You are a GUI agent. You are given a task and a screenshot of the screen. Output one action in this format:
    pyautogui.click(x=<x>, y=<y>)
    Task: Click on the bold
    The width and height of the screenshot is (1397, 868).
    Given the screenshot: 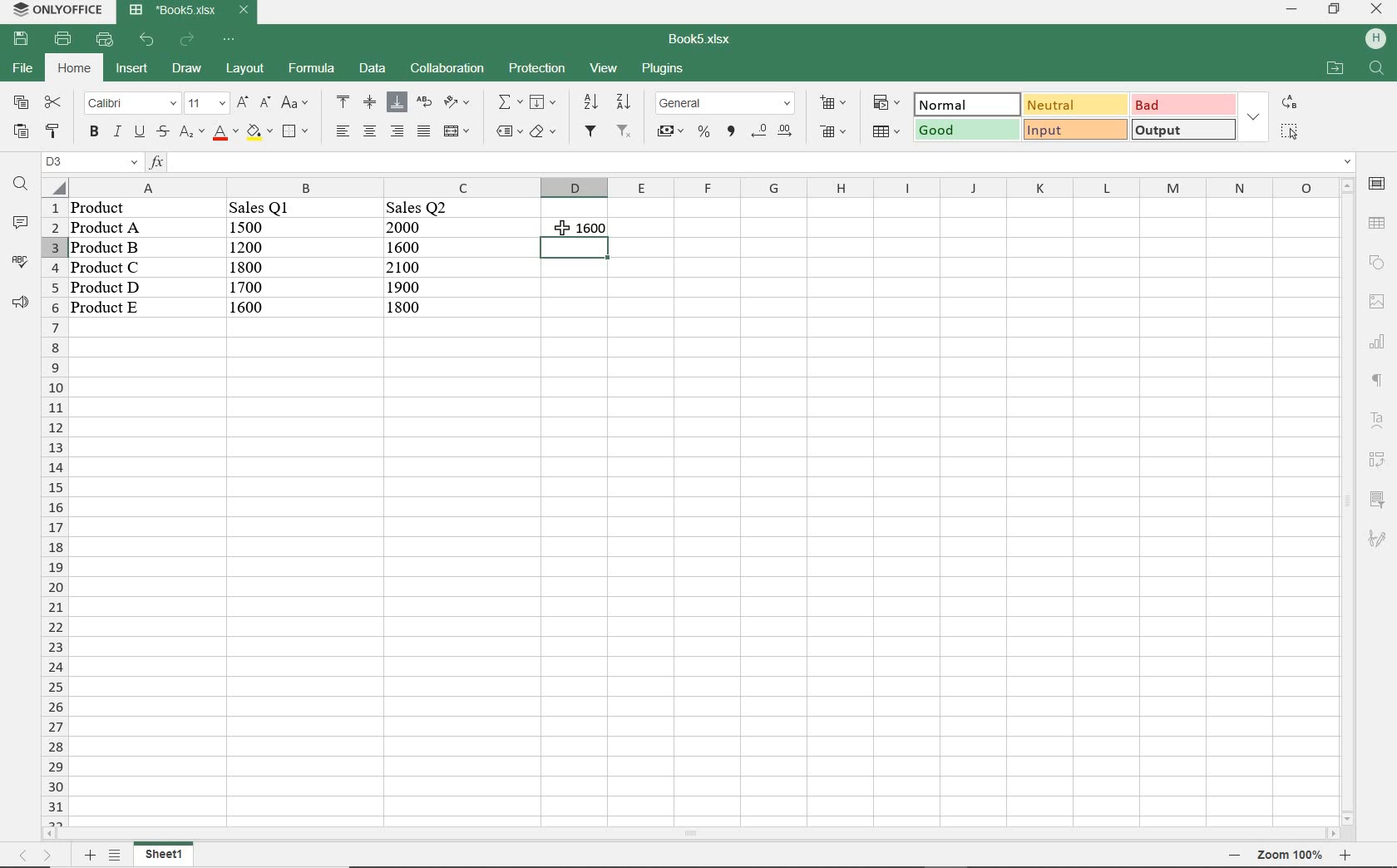 What is the action you would take?
    pyautogui.click(x=93, y=133)
    